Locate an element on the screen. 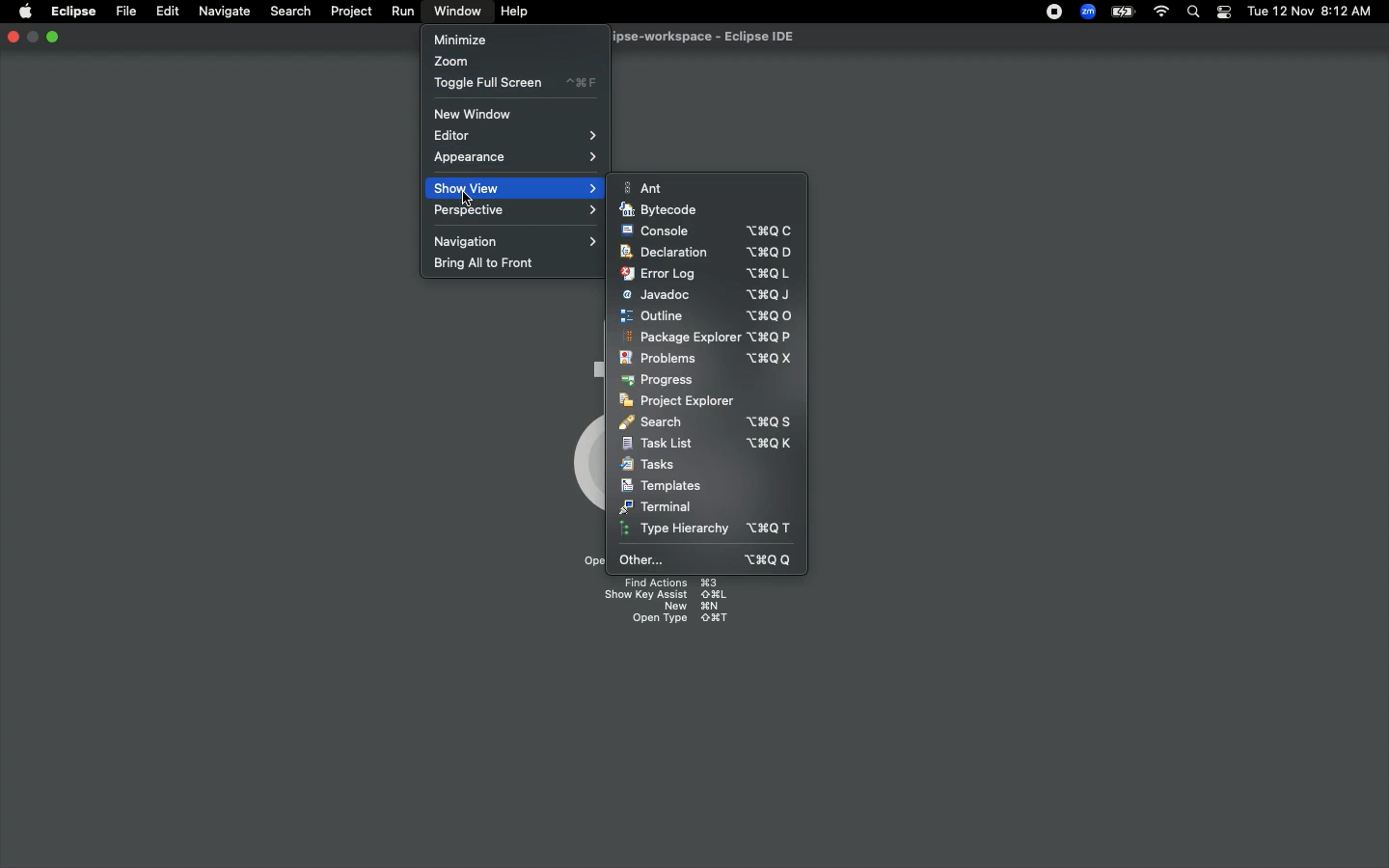 Image resolution: width=1389 pixels, height=868 pixels. Maximize is located at coordinates (53, 38).